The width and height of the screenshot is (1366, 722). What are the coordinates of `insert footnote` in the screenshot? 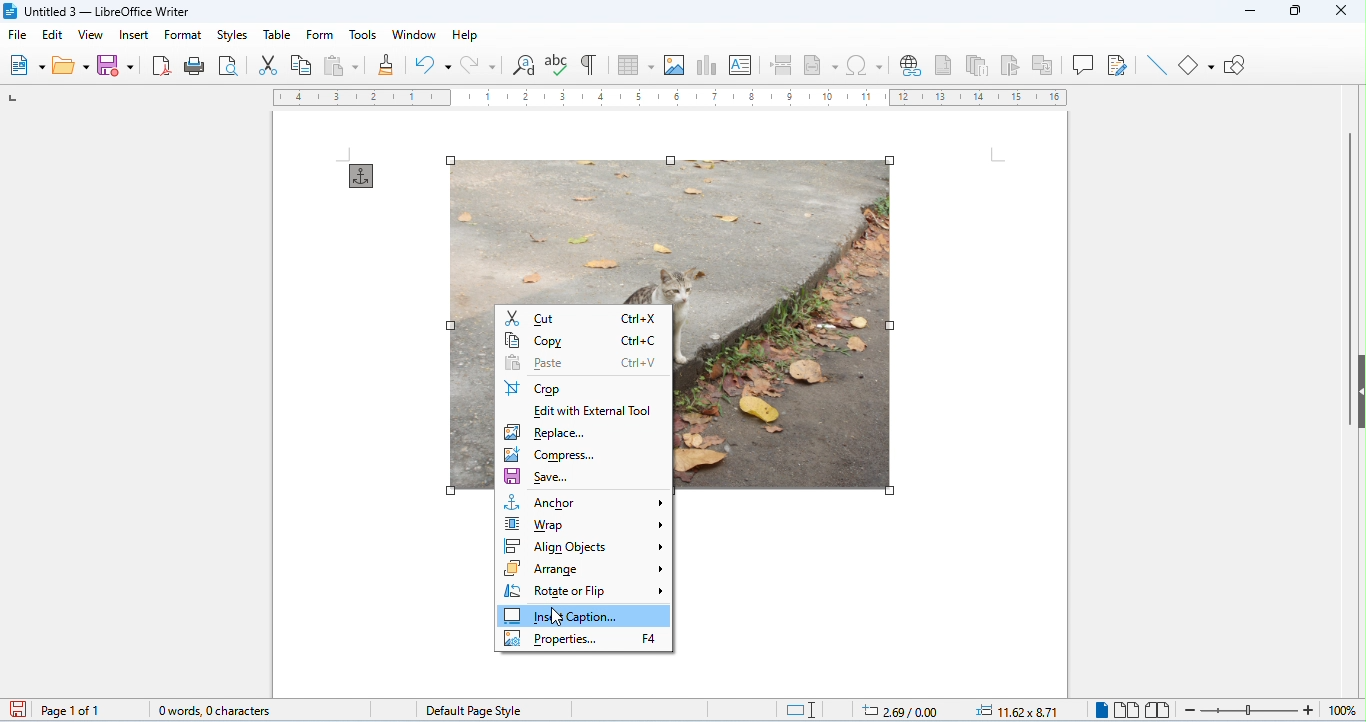 It's located at (945, 65).